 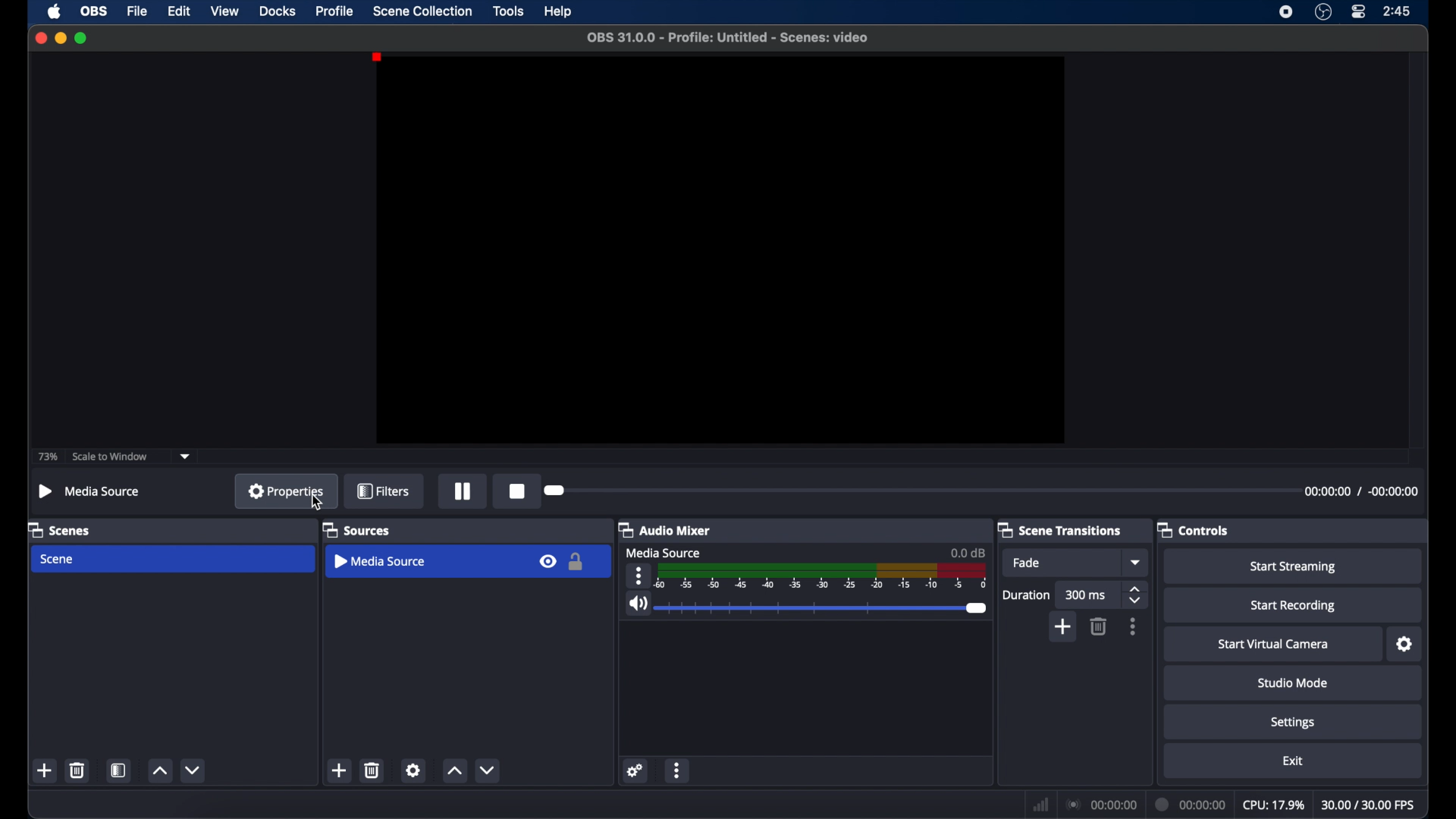 I want to click on scene transitions, so click(x=1061, y=531).